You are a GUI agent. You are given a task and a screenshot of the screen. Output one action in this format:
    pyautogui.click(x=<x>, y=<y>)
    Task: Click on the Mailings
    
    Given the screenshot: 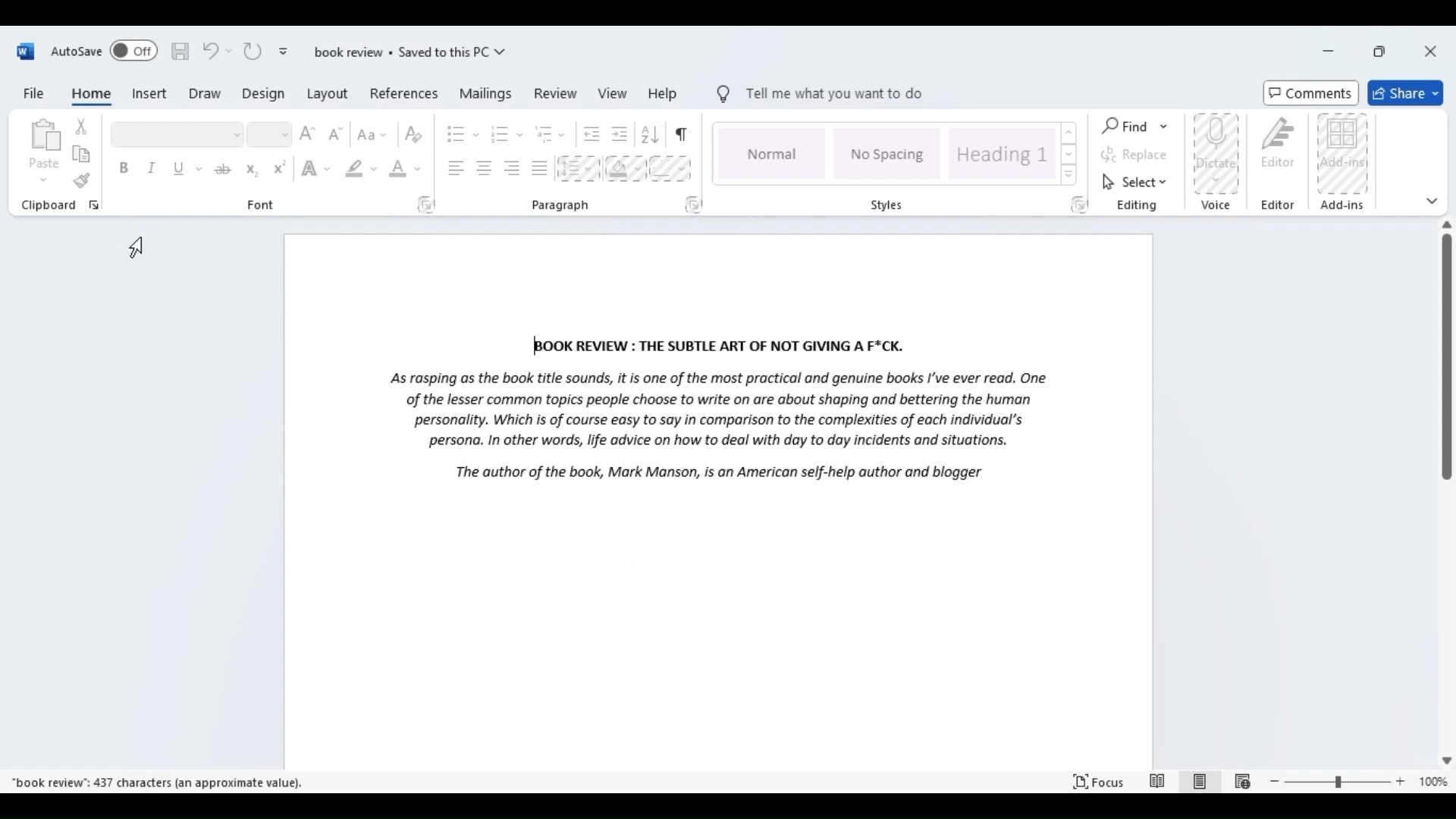 What is the action you would take?
    pyautogui.click(x=486, y=96)
    